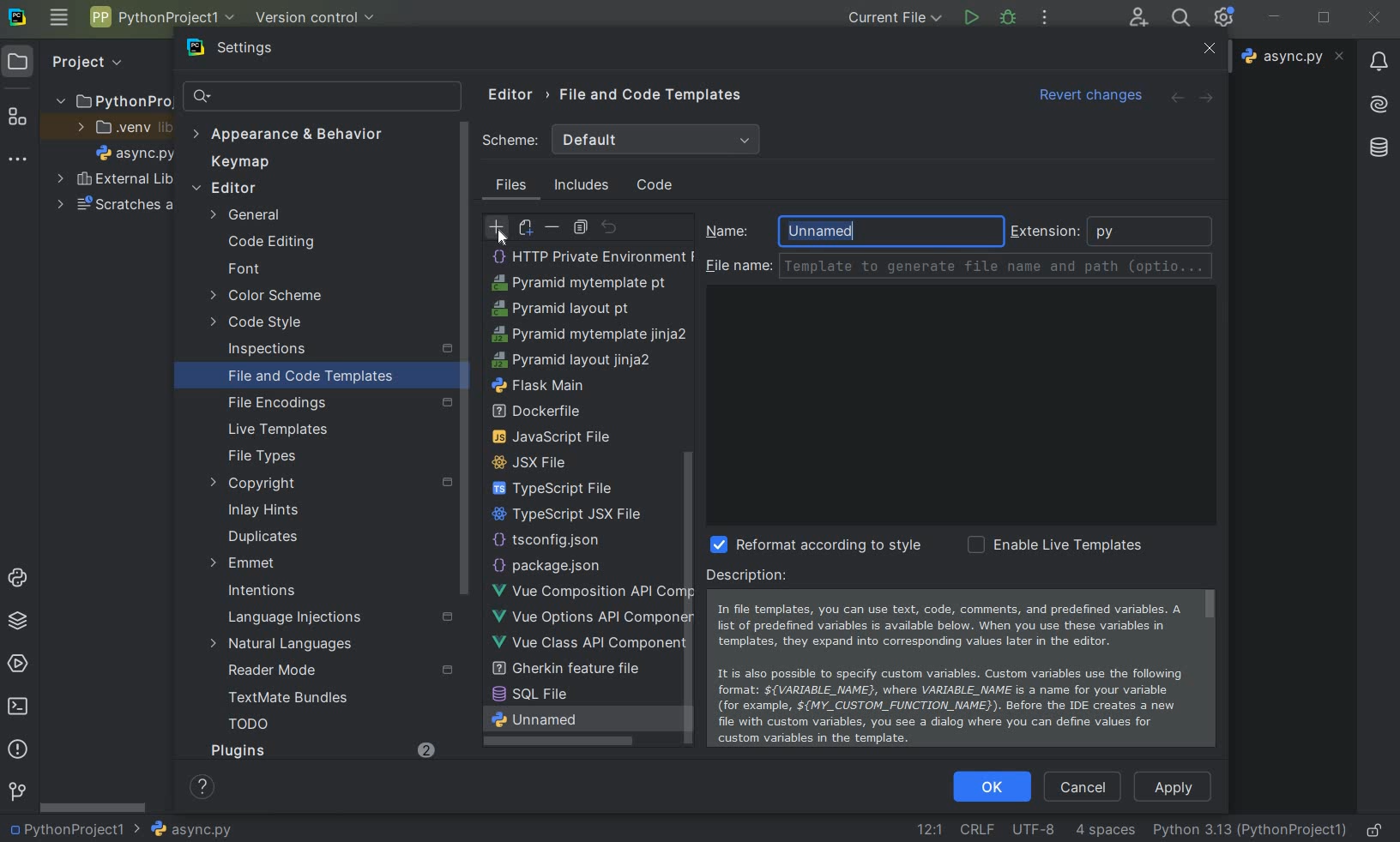 The width and height of the screenshot is (1400, 842). Describe the element at coordinates (1105, 830) in the screenshot. I see `indent` at that location.